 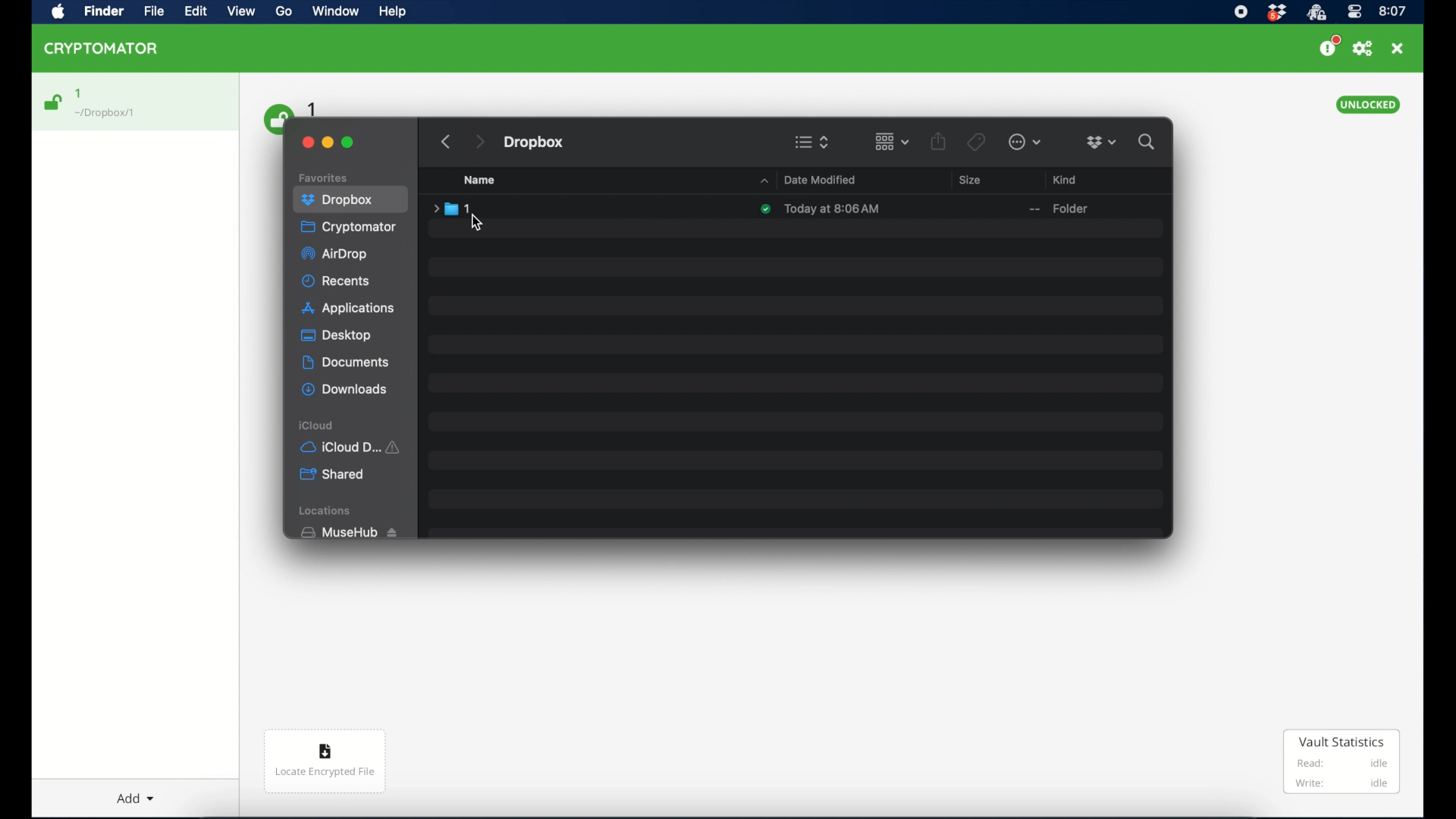 I want to click on desktop, so click(x=336, y=336).